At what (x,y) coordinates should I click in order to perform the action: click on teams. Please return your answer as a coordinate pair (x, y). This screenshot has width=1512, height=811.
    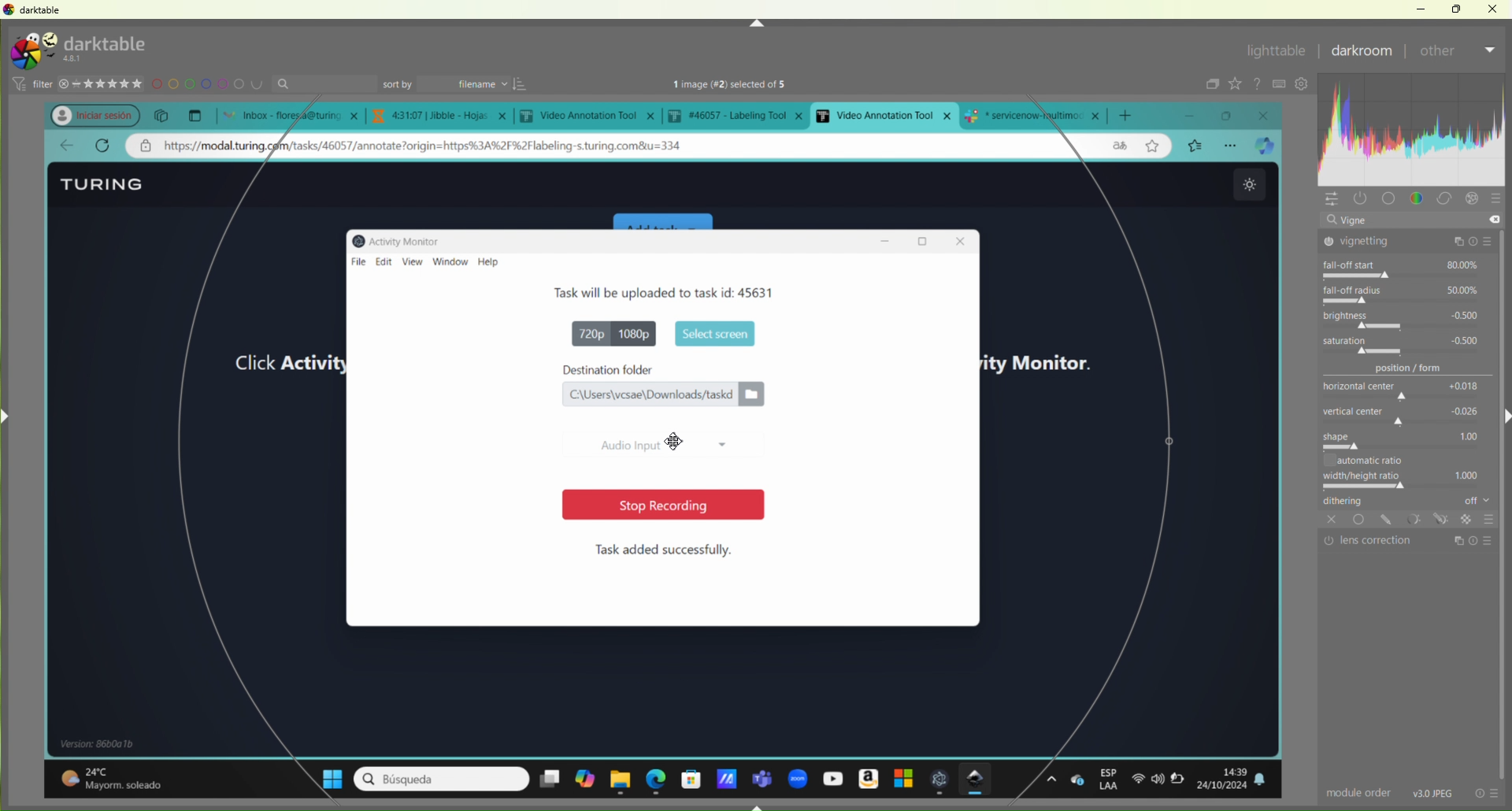
    Looking at the image, I should click on (763, 774).